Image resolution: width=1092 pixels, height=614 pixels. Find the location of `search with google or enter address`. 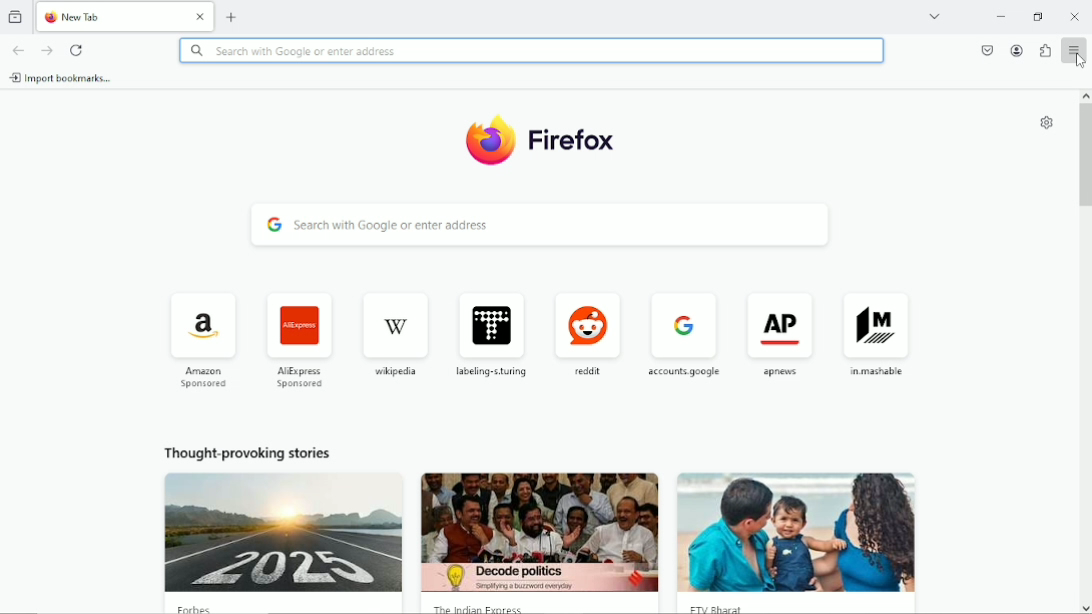

search with google or enter address is located at coordinates (543, 226).